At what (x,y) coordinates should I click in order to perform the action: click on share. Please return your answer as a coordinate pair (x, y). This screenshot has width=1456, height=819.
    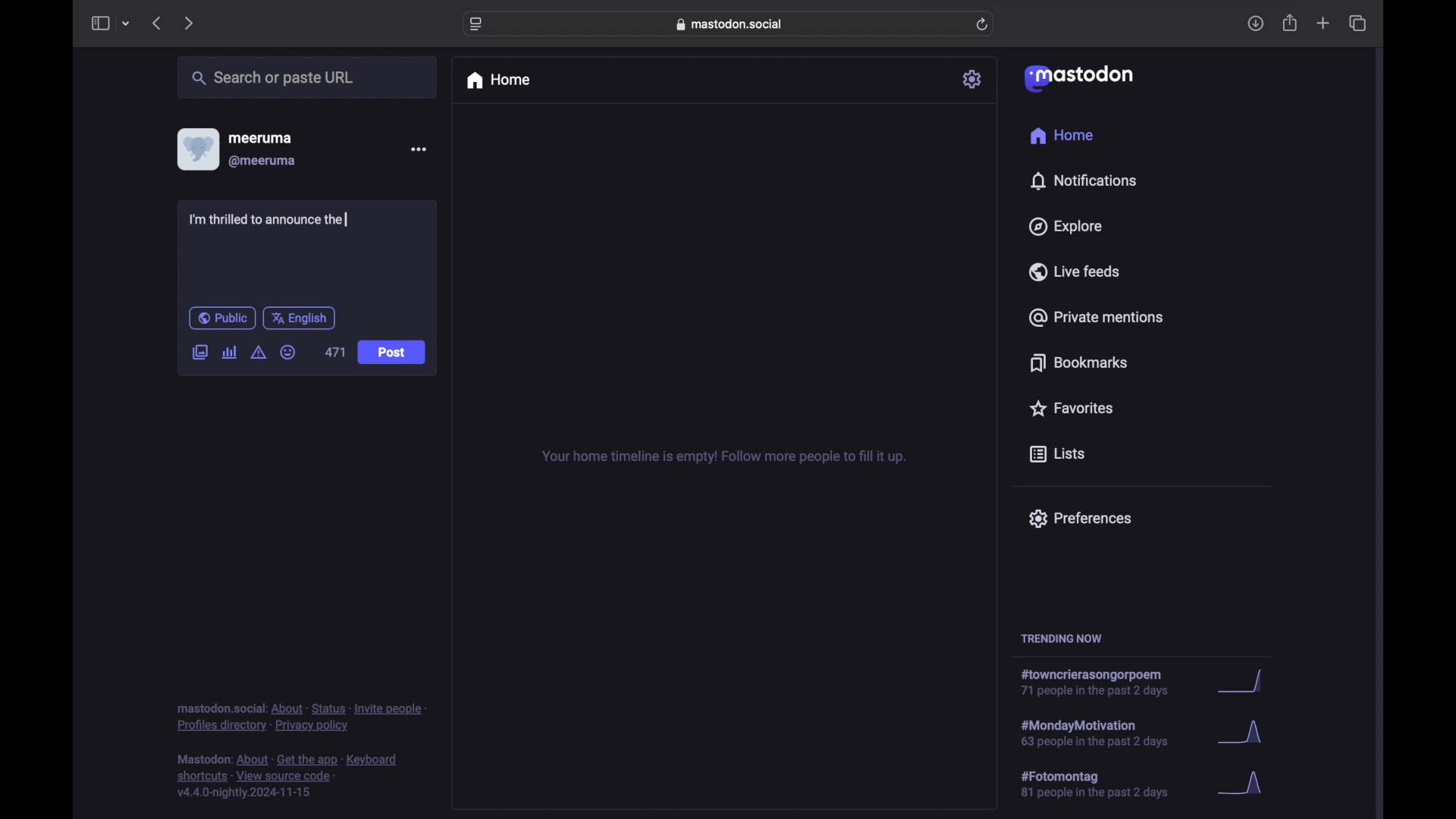
    Looking at the image, I should click on (1291, 23).